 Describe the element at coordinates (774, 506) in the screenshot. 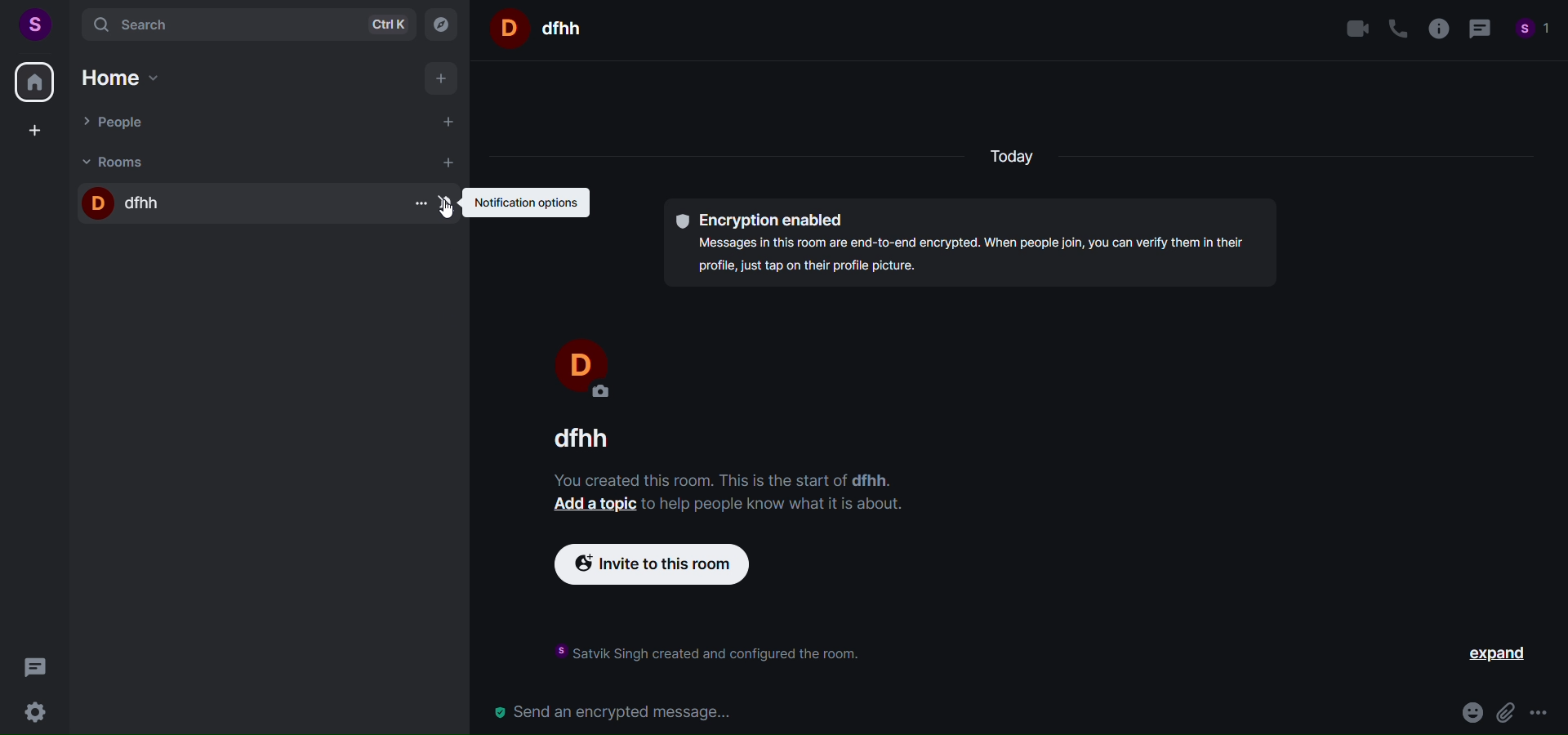

I see `to help people know what it is about.` at that location.